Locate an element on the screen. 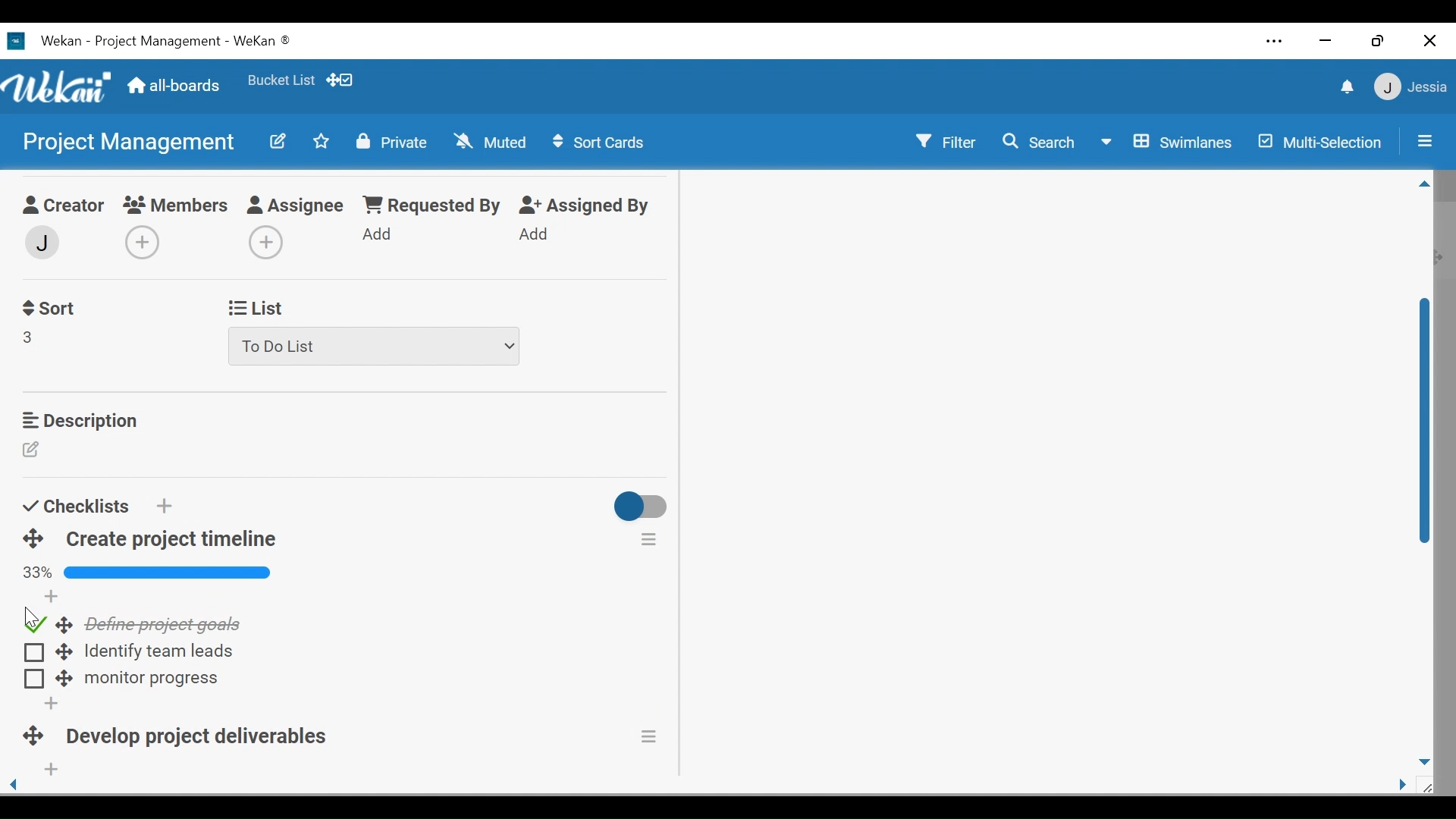 Image resolution: width=1456 pixels, height=819 pixels. page side is located at coordinates (1408, 786).